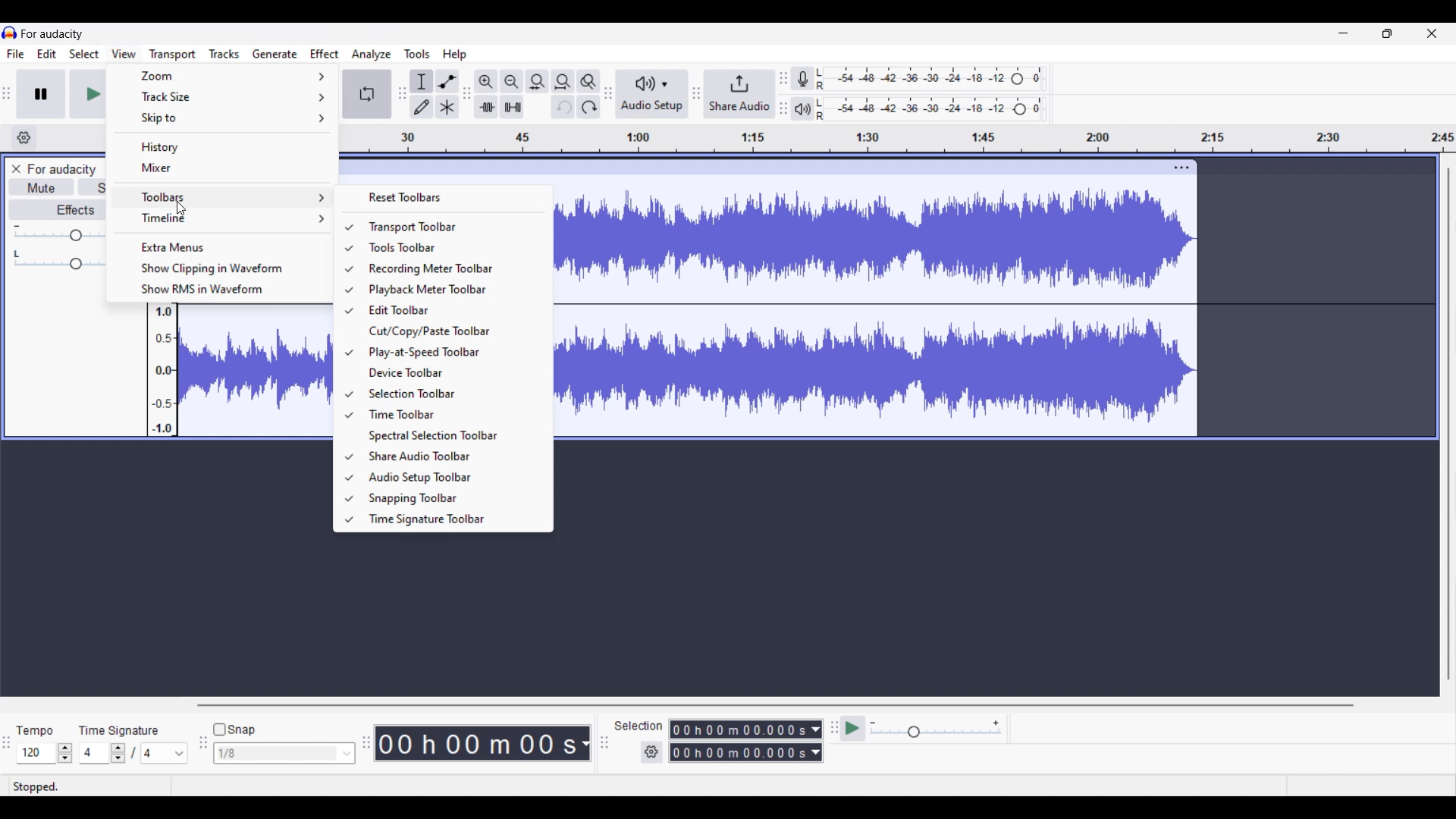 This screenshot has height=819, width=1456. What do you see at coordinates (24, 137) in the screenshot?
I see `Timeline options` at bounding box center [24, 137].